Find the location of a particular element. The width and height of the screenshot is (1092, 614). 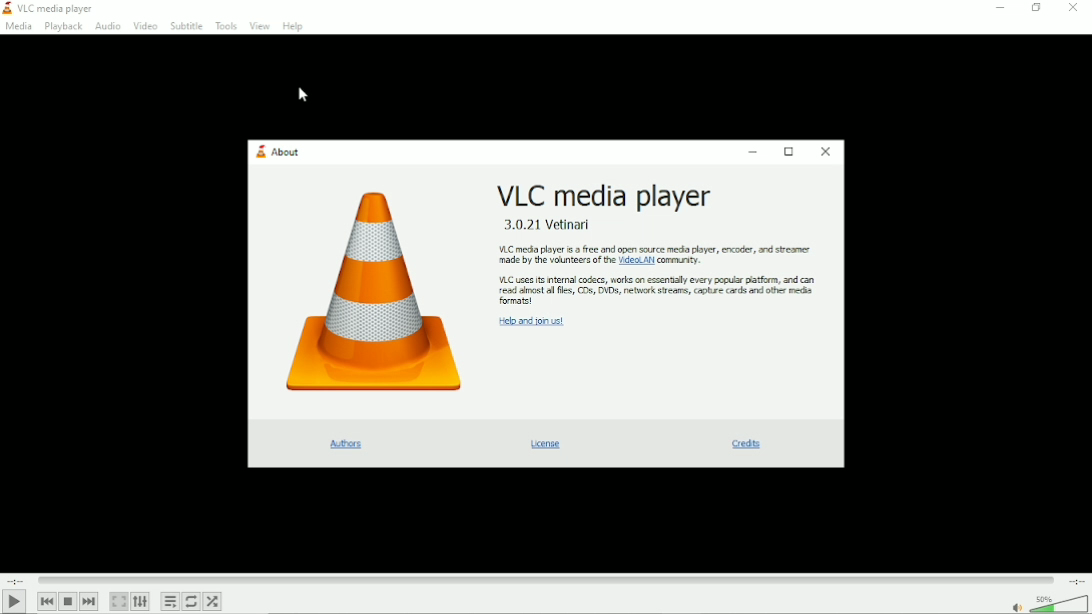

Credits is located at coordinates (742, 445).